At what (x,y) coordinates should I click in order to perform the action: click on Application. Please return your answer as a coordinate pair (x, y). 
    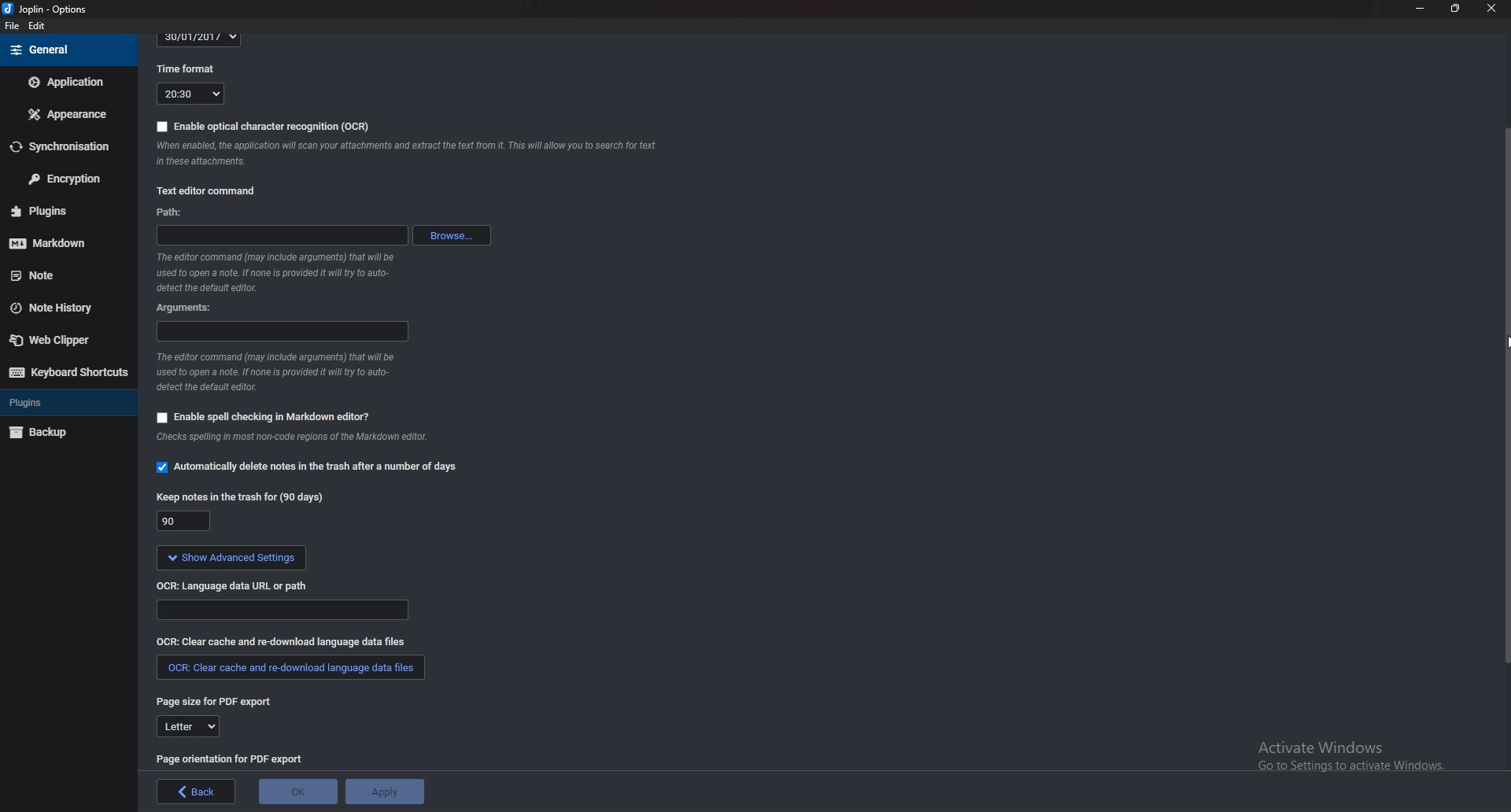
    Looking at the image, I should click on (67, 81).